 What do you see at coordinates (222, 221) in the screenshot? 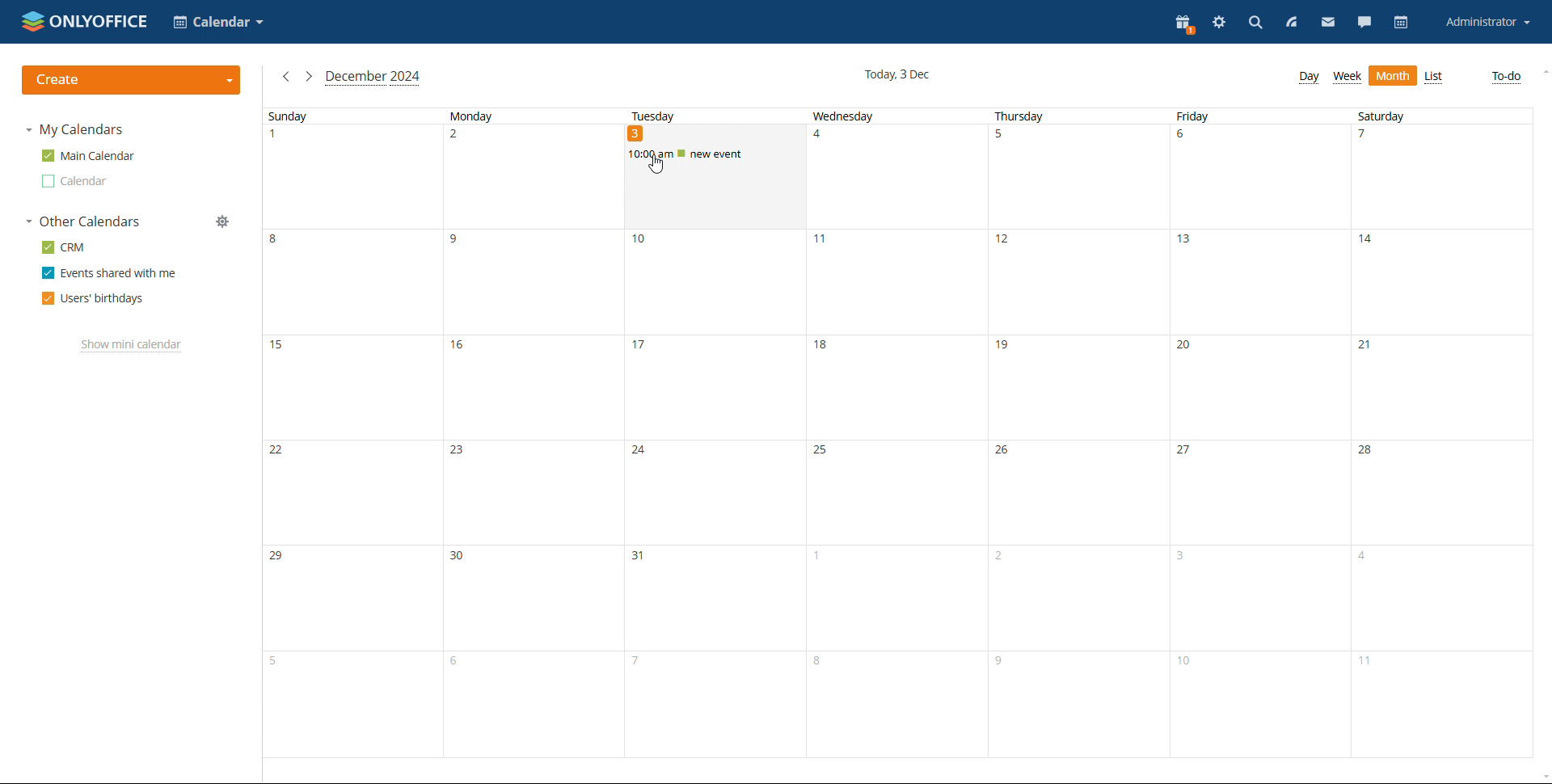
I see `manage` at bounding box center [222, 221].